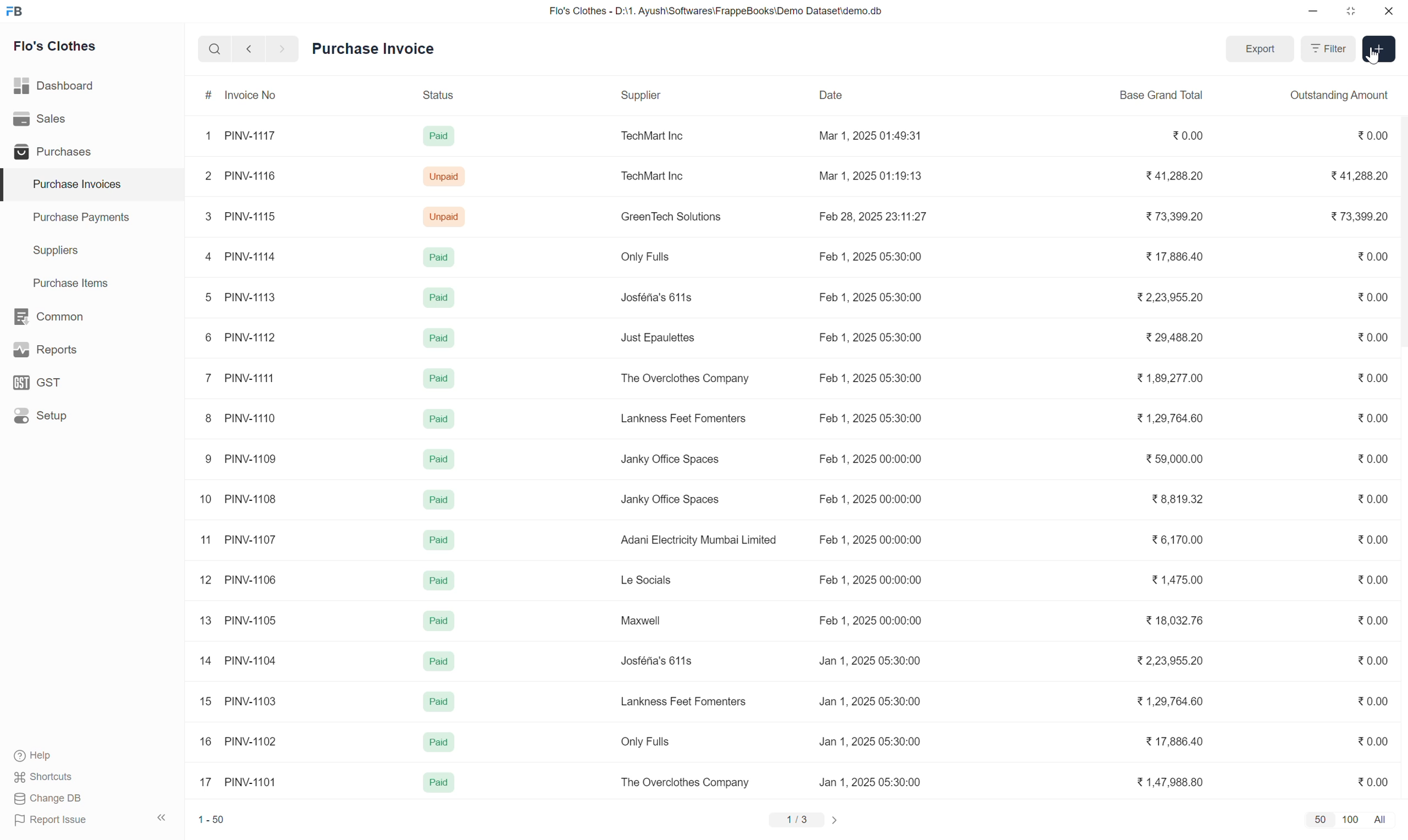 The width and height of the screenshot is (1408, 840). Describe the element at coordinates (648, 741) in the screenshot. I see `Only Fulls` at that location.